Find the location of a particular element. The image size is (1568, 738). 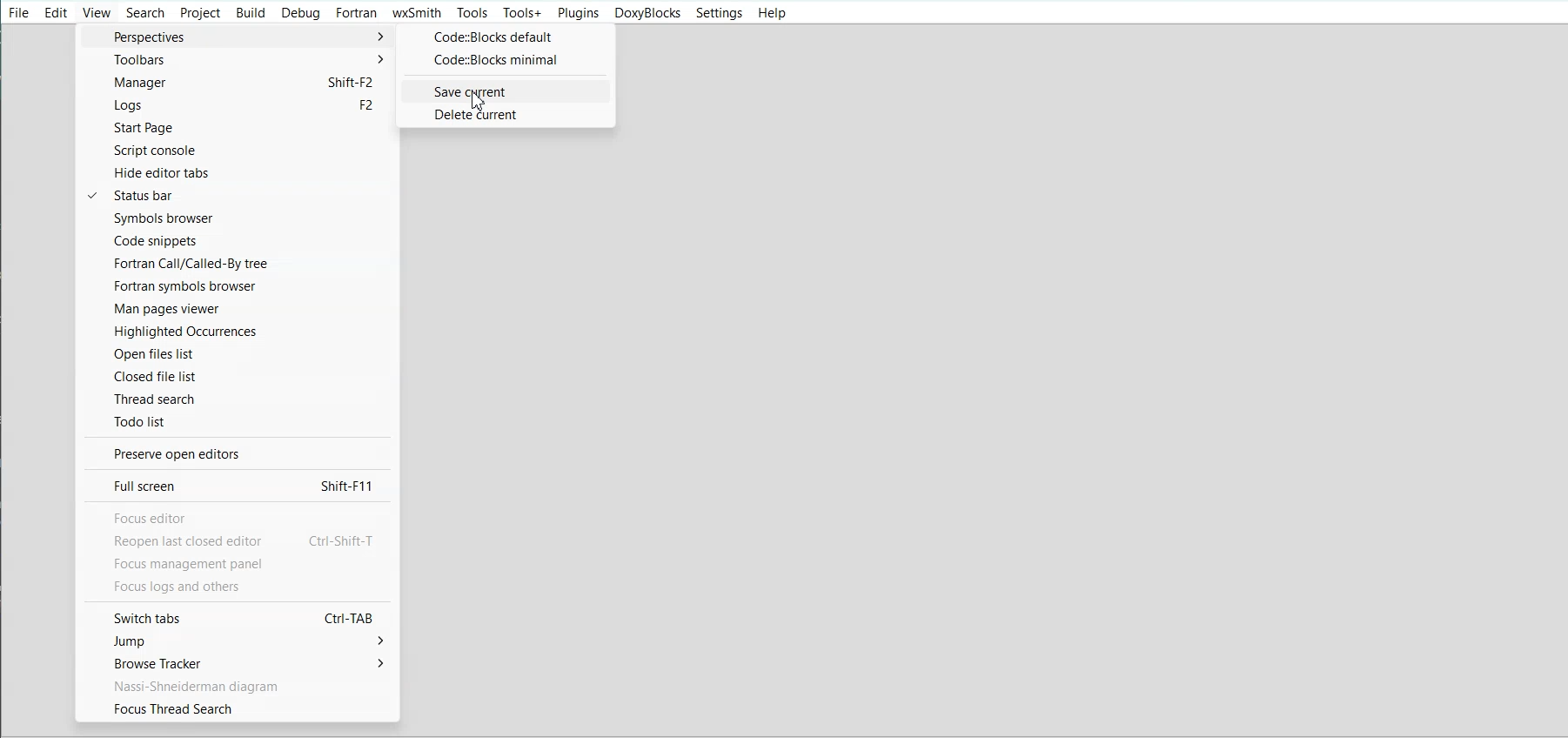

Highlighted Occurence is located at coordinates (236, 331).